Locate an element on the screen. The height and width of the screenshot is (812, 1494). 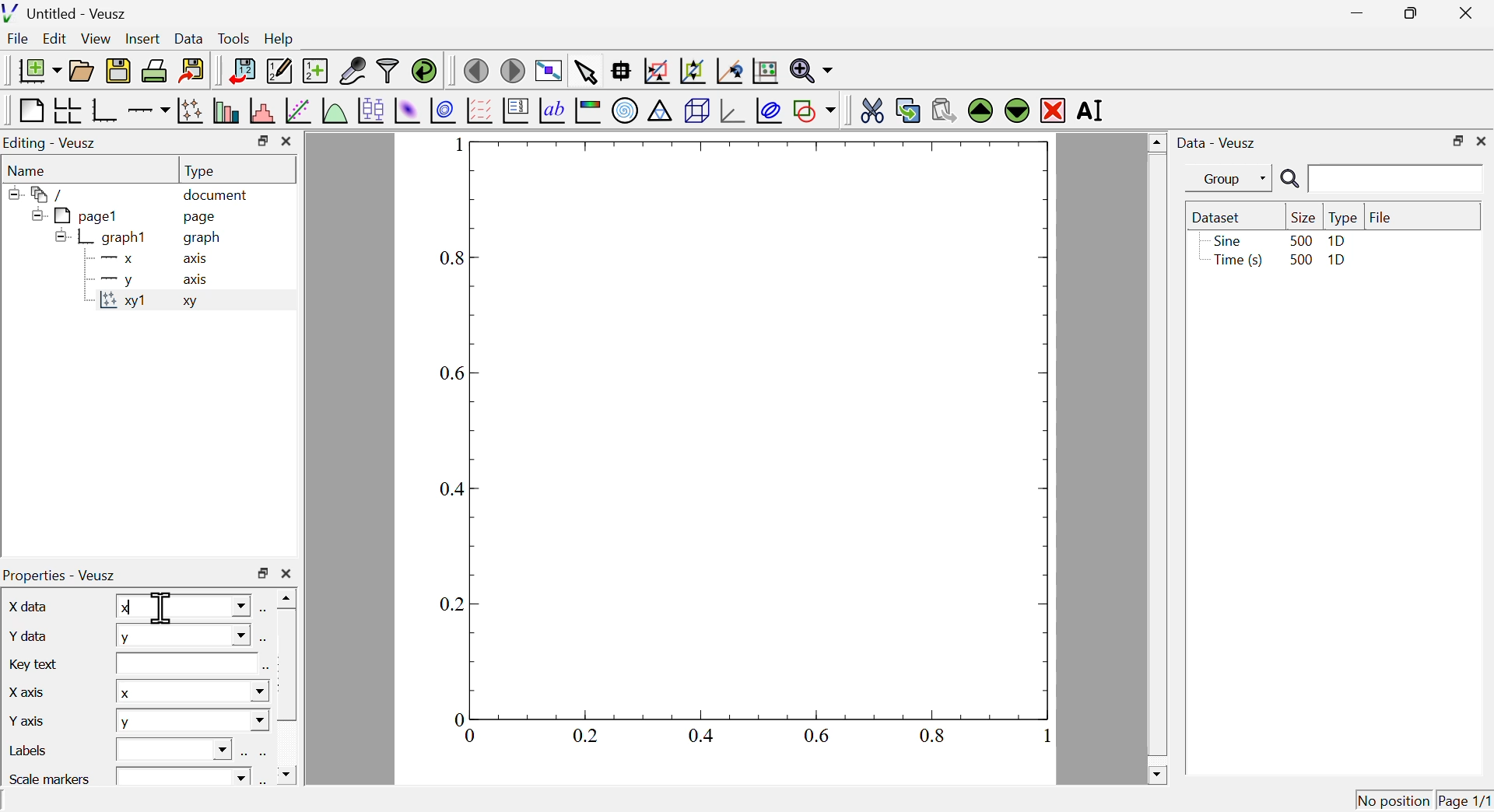
close is located at coordinates (1482, 141).